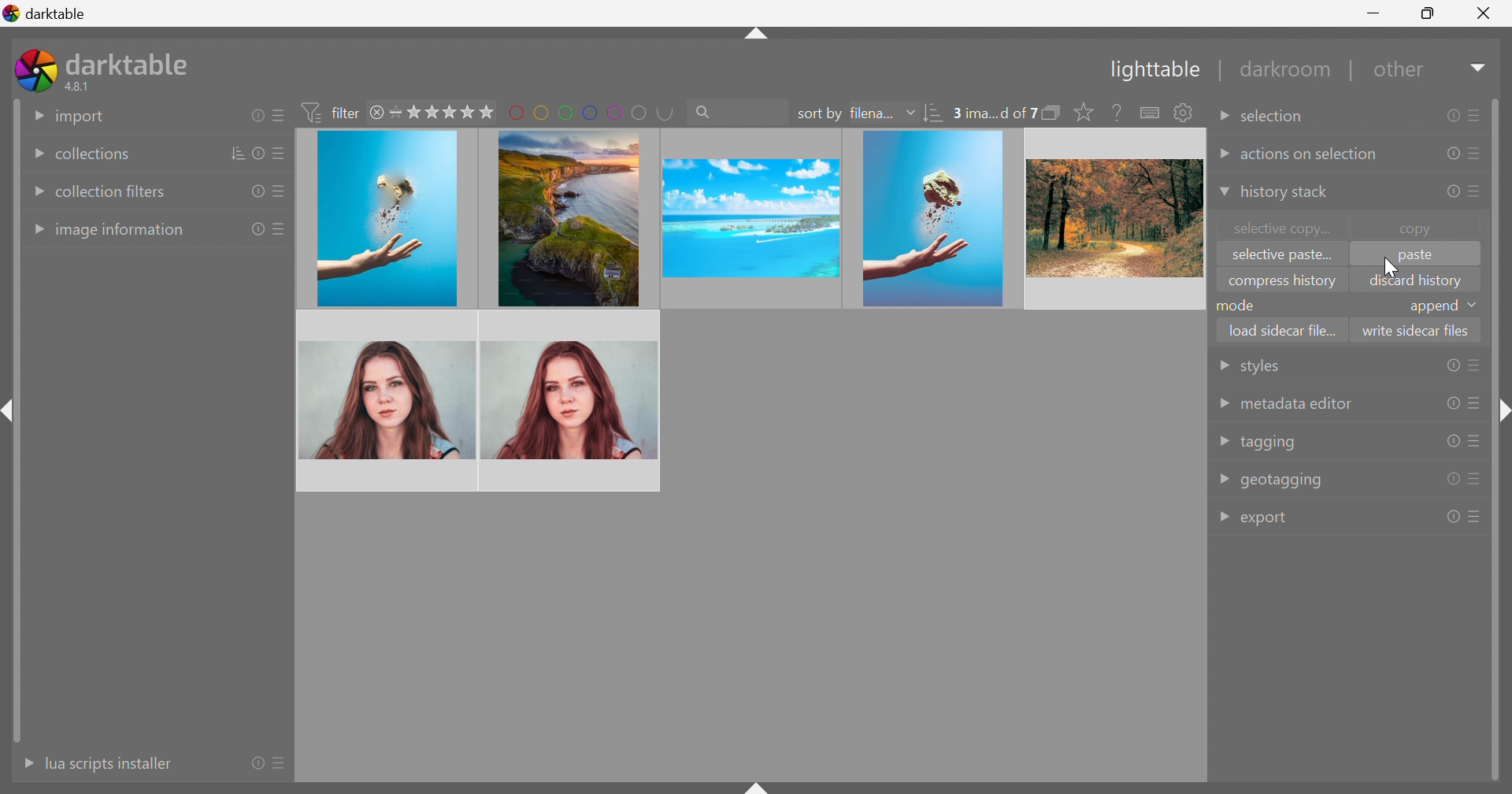 The width and height of the screenshot is (1512, 794). Describe the element at coordinates (1453, 480) in the screenshot. I see `reset` at that location.